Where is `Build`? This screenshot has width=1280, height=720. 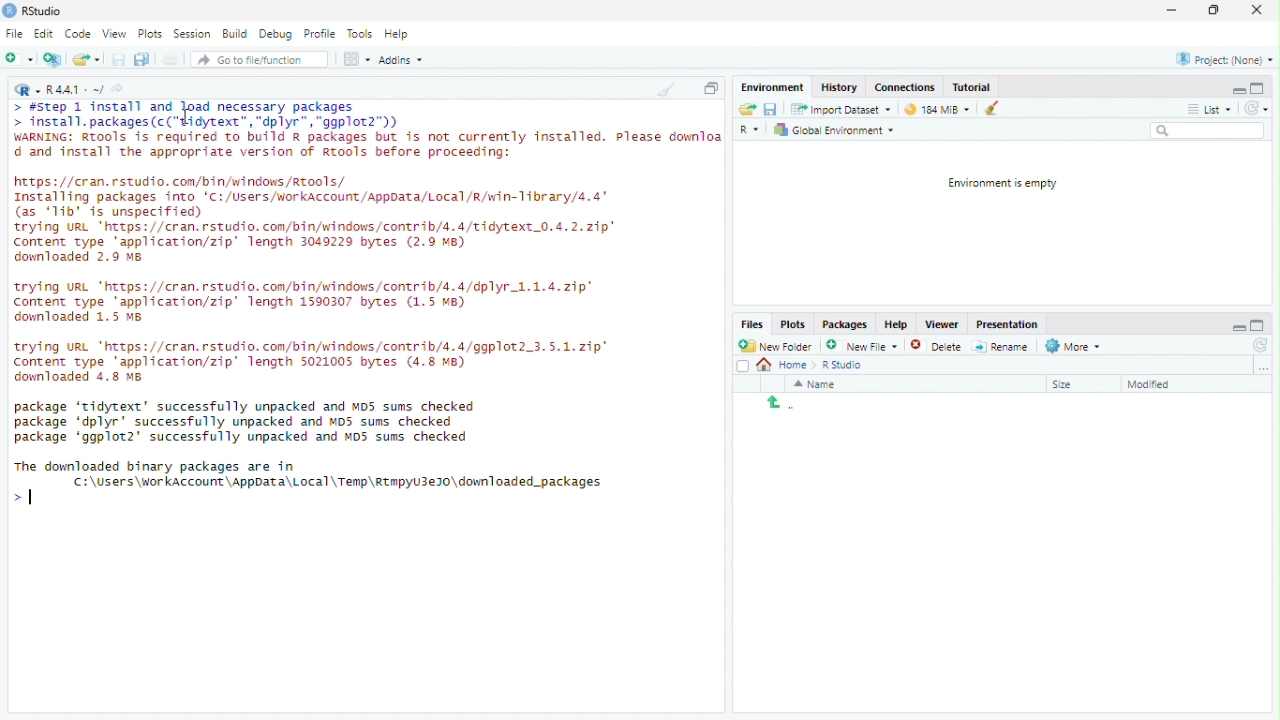 Build is located at coordinates (234, 32).